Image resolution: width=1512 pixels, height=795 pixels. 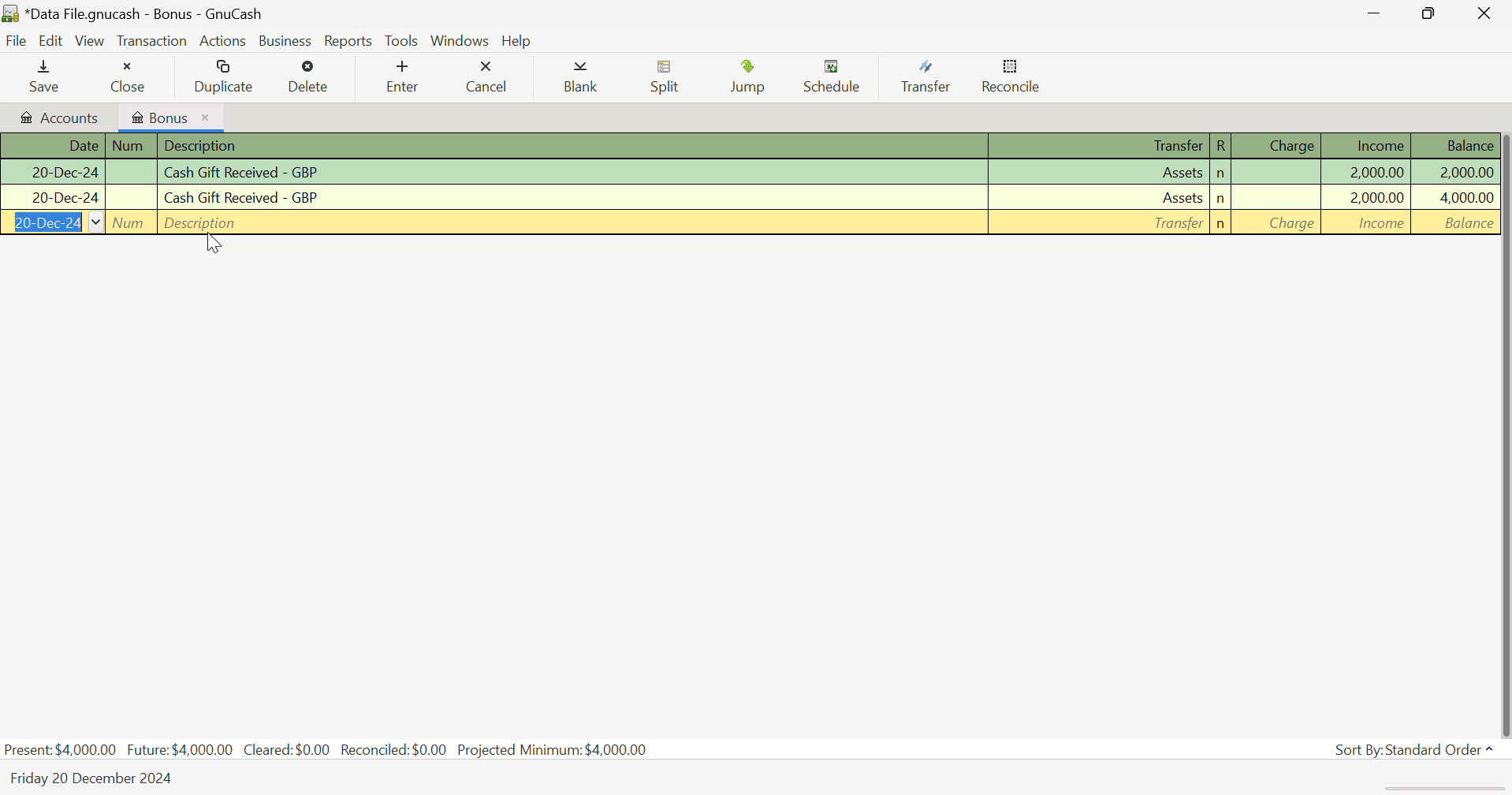 What do you see at coordinates (1220, 146) in the screenshot?
I see `R` at bounding box center [1220, 146].